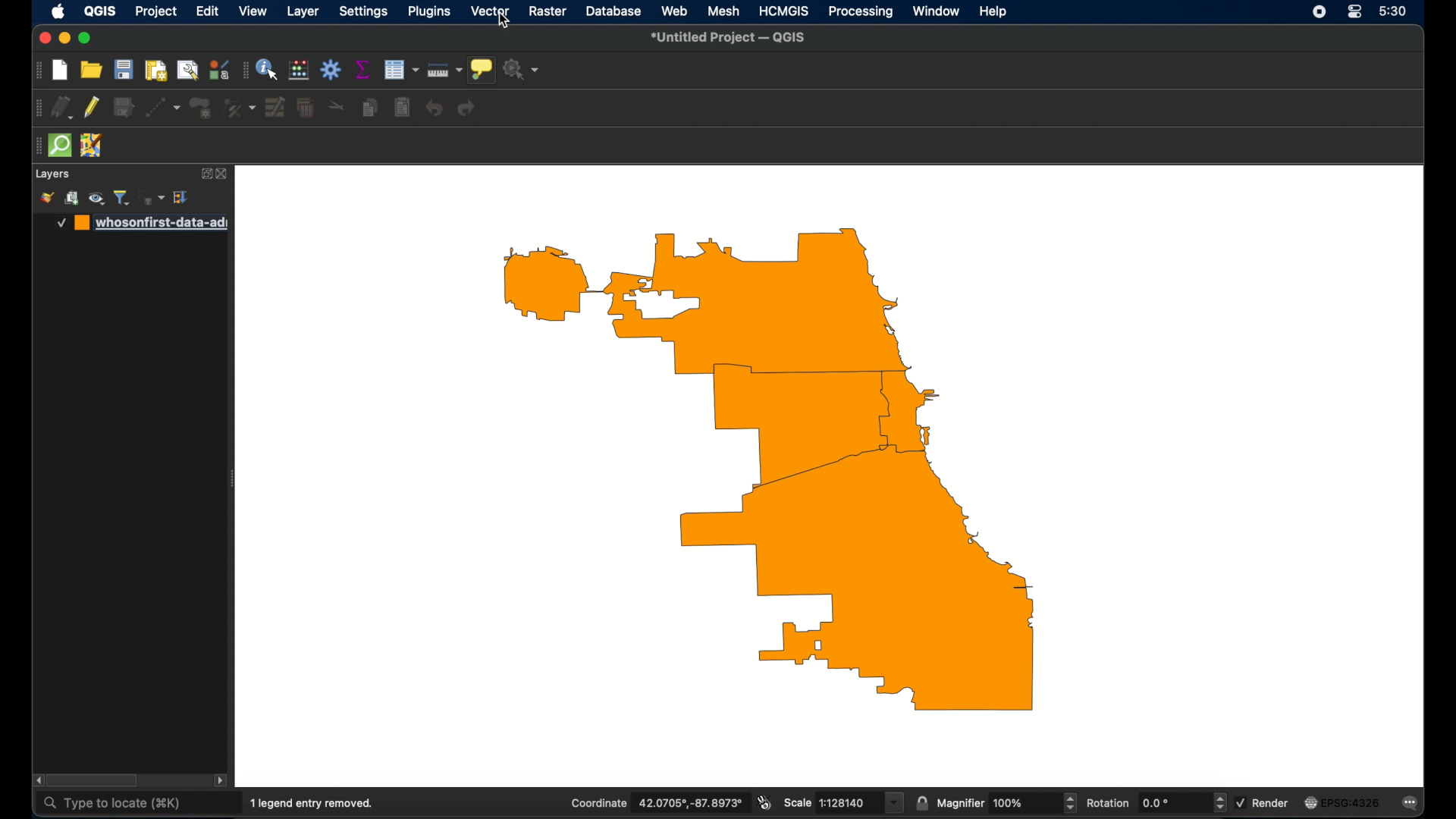 This screenshot has width=1456, height=819. Describe the element at coordinates (366, 11) in the screenshot. I see `settings` at that location.